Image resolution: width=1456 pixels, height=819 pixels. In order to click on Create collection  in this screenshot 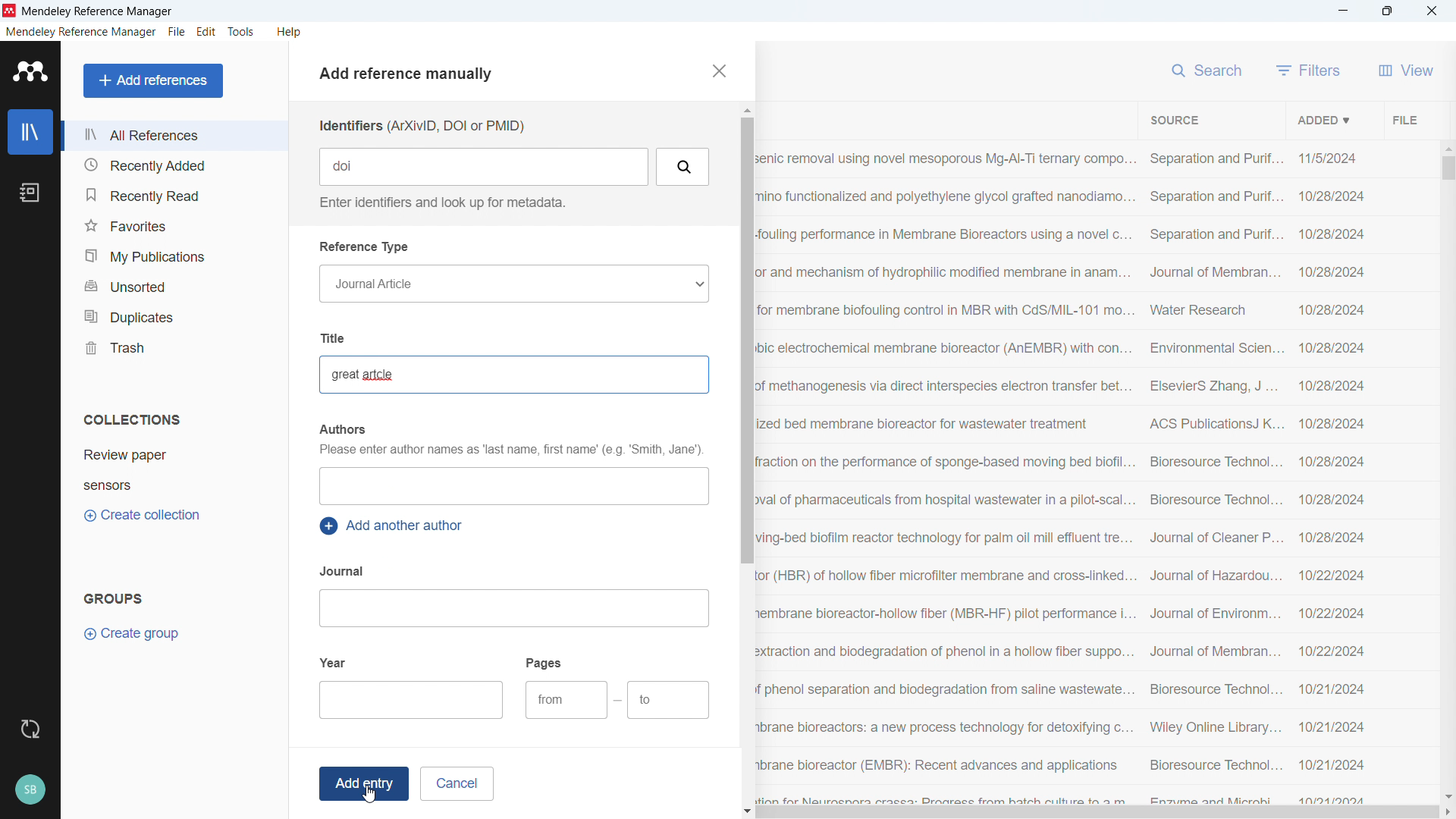, I will do `click(144, 516)`.